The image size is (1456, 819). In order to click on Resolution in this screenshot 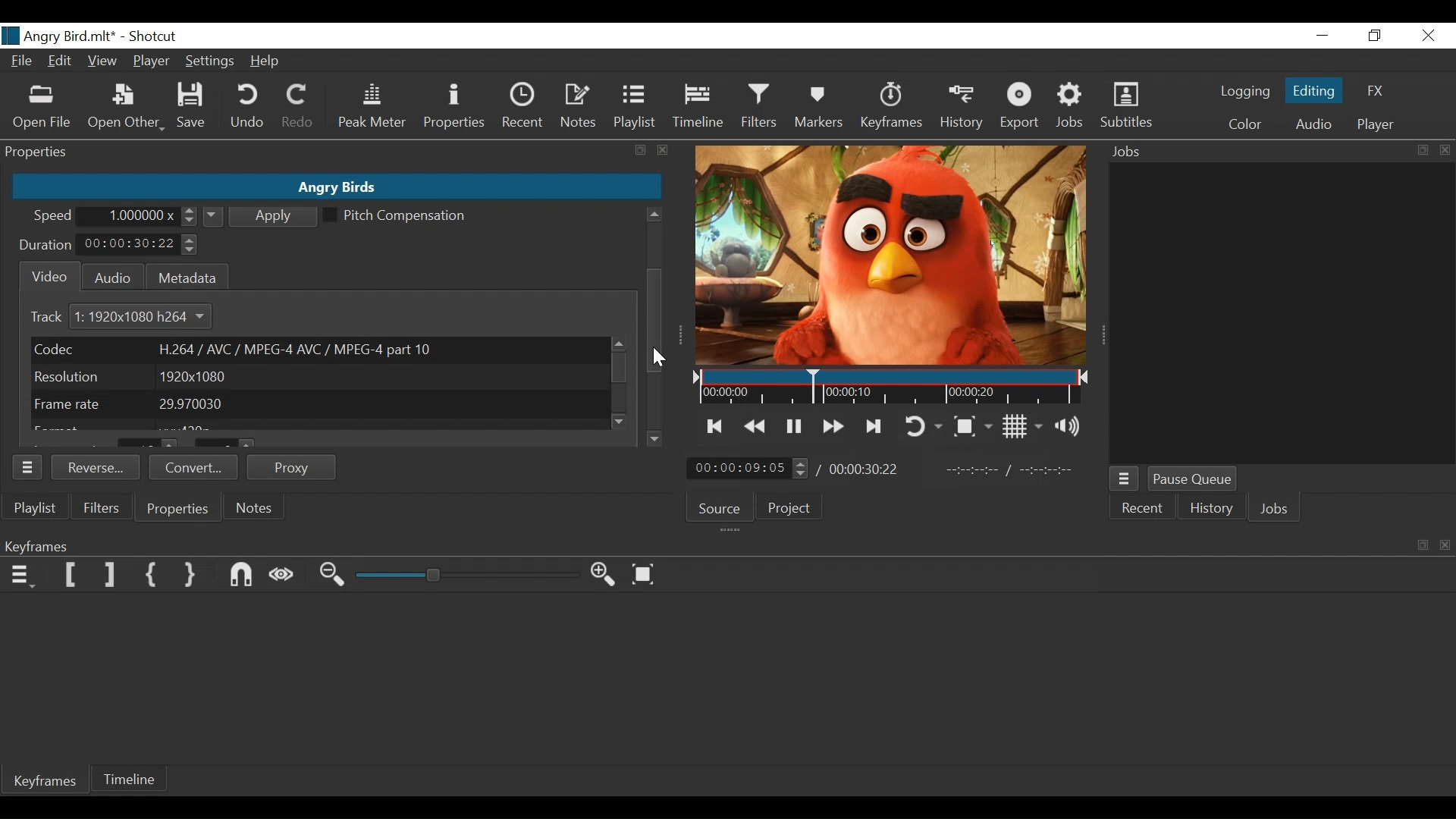, I will do `click(316, 377)`.